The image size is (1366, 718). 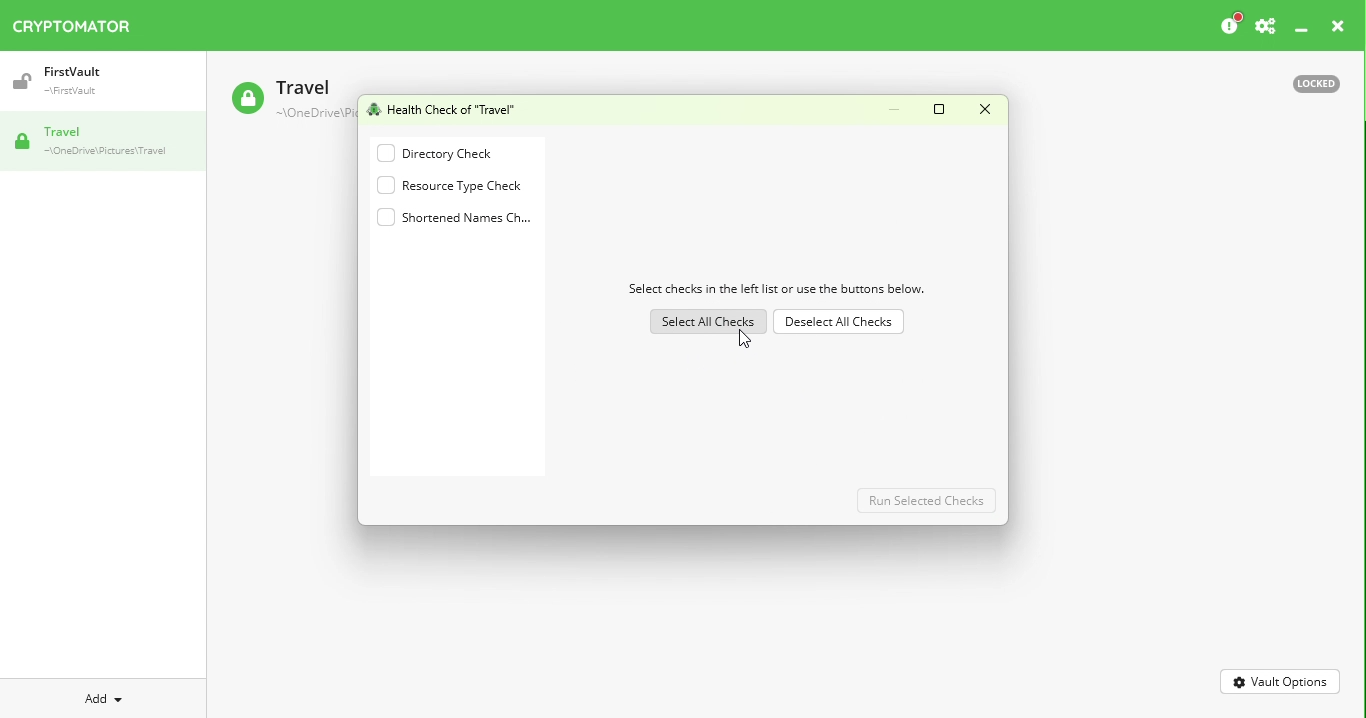 I want to click on Deselect all checks, so click(x=837, y=320).